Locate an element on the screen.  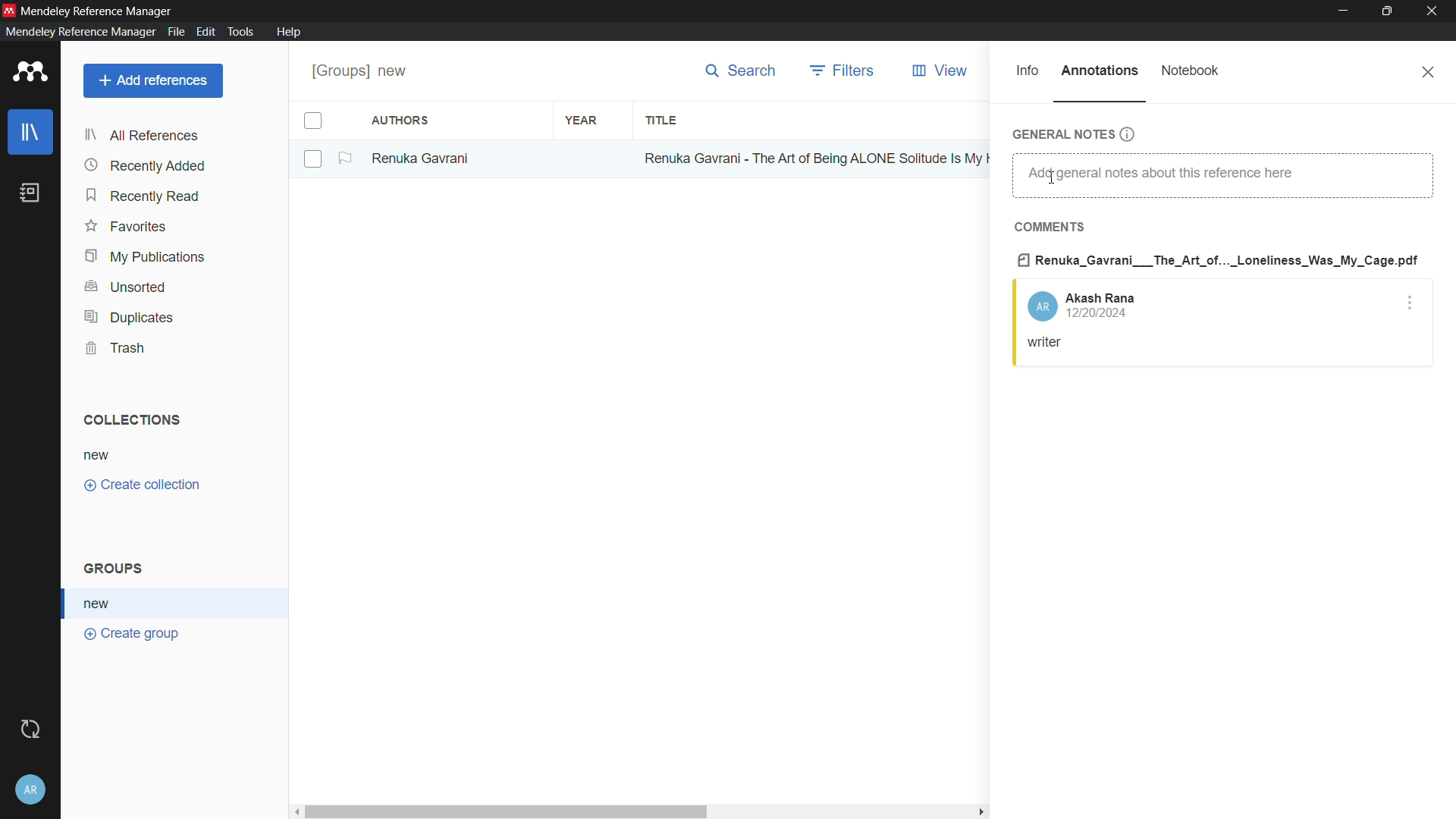
note is located at coordinates (1046, 342).